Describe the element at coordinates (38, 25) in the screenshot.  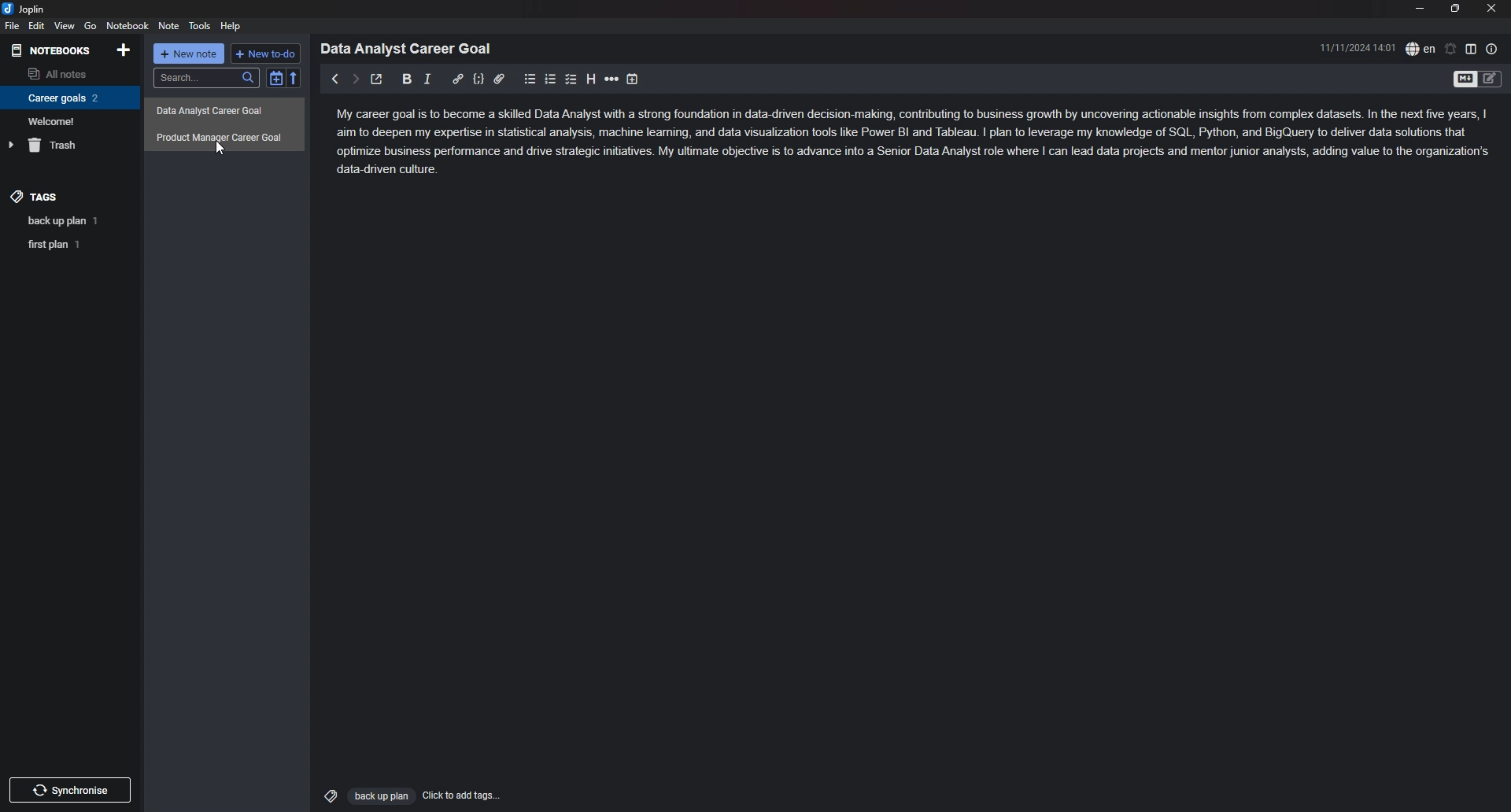
I see `edit` at that location.